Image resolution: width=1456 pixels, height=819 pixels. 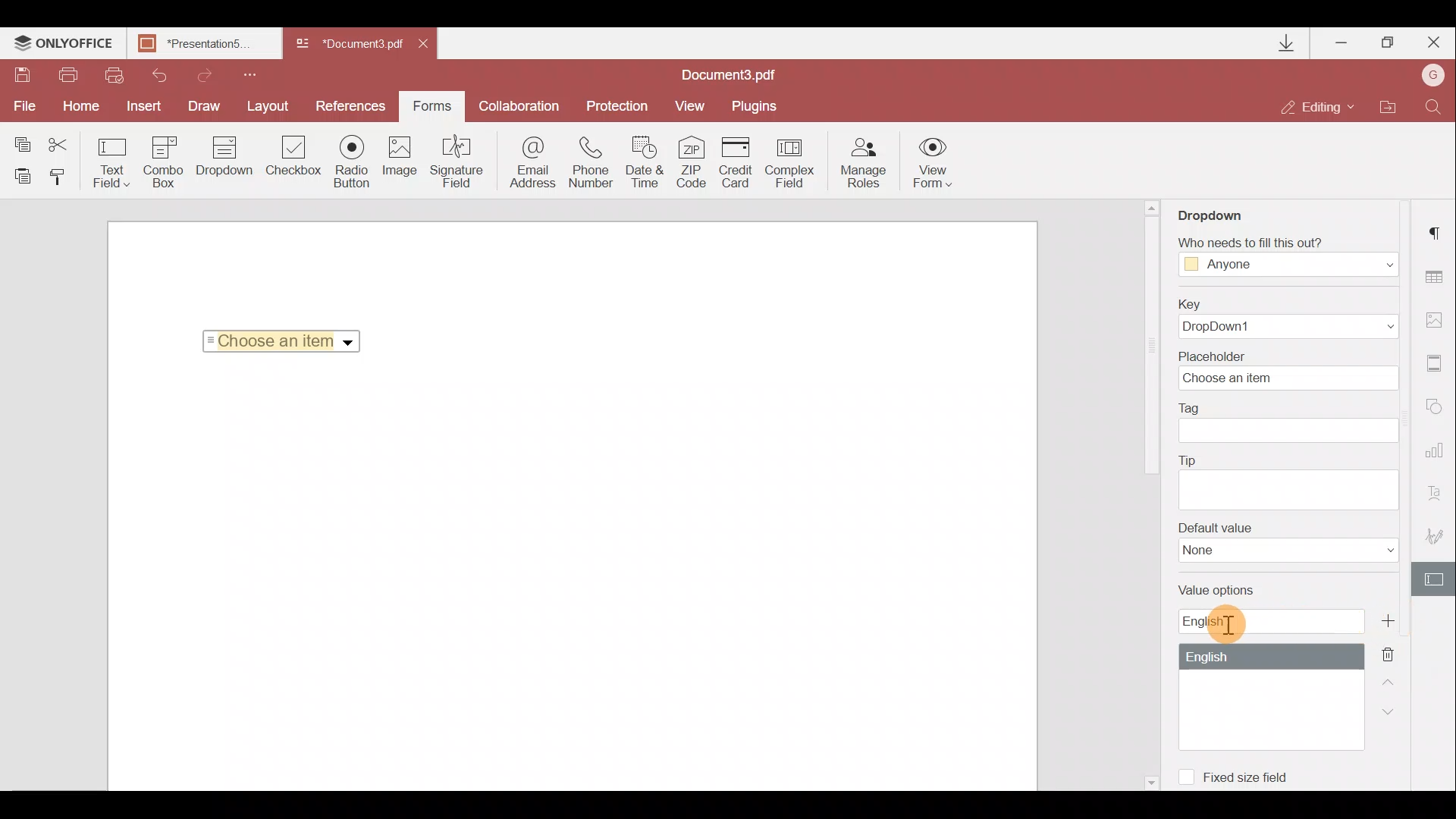 I want to click on View form, so click(x=934, y=162).